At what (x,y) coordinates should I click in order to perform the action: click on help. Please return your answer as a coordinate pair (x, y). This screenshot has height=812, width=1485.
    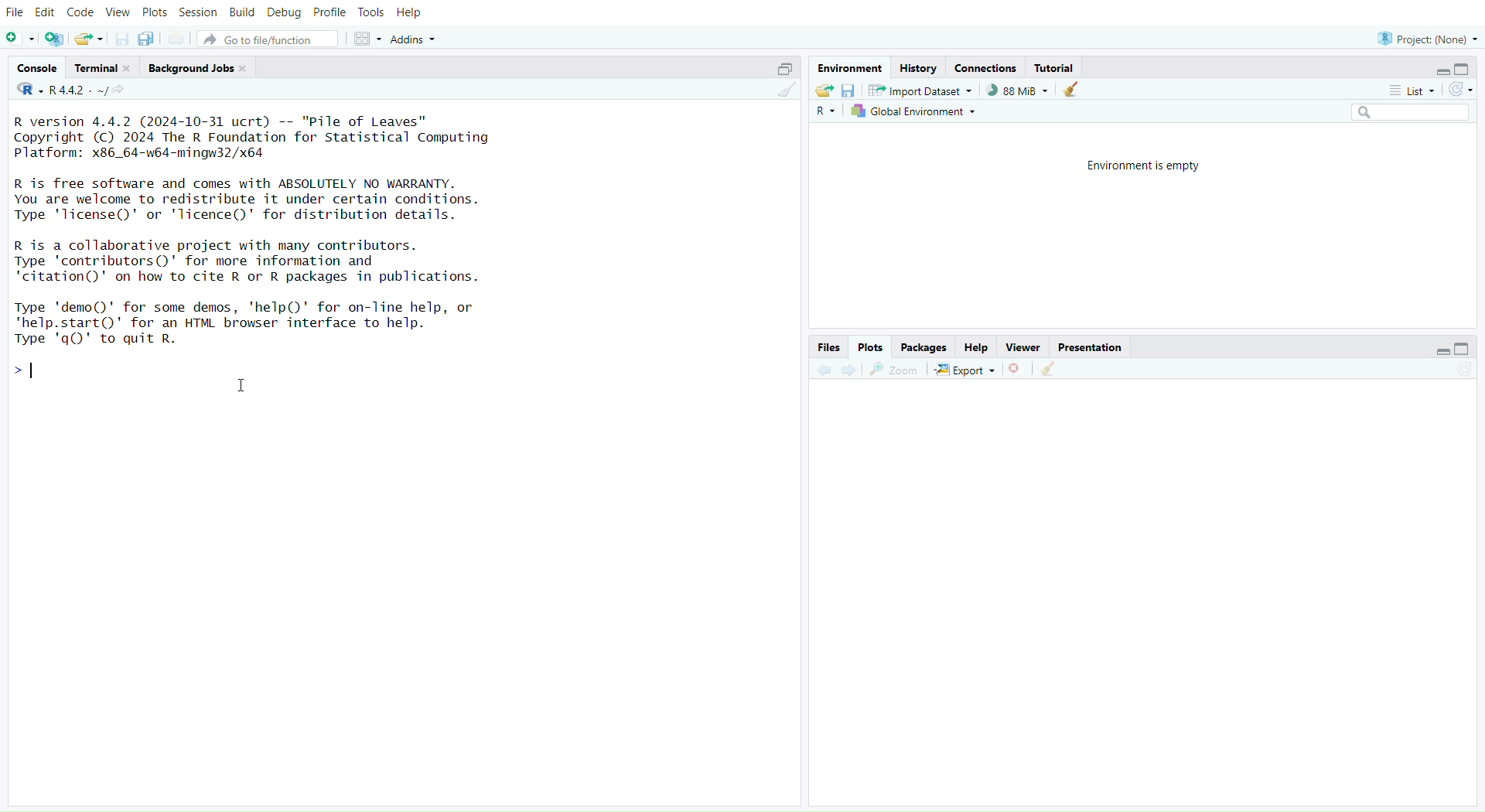
    Looking at the image, I should click on (977, 346).